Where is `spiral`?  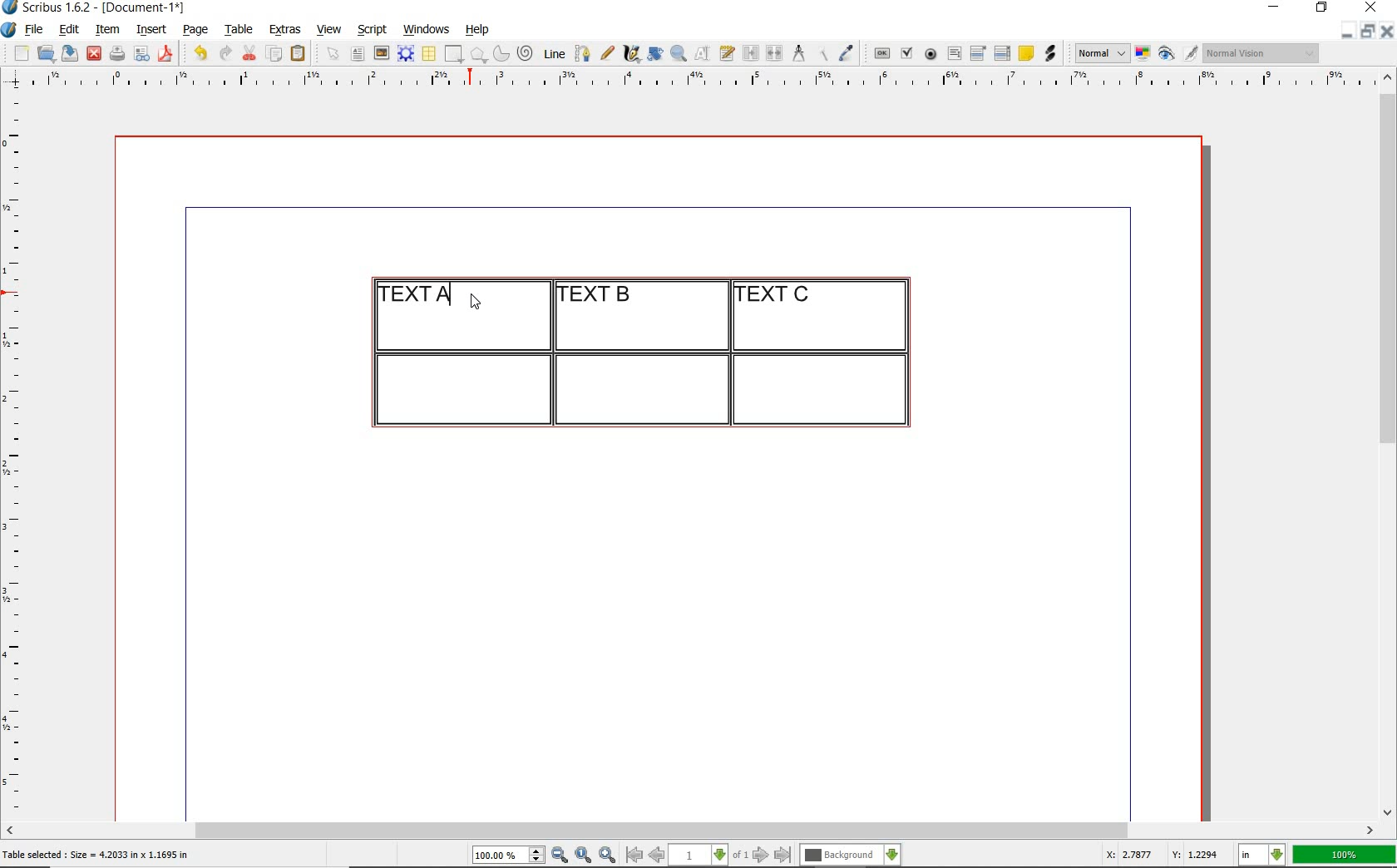
spiral is located at coordinates (526, 53).